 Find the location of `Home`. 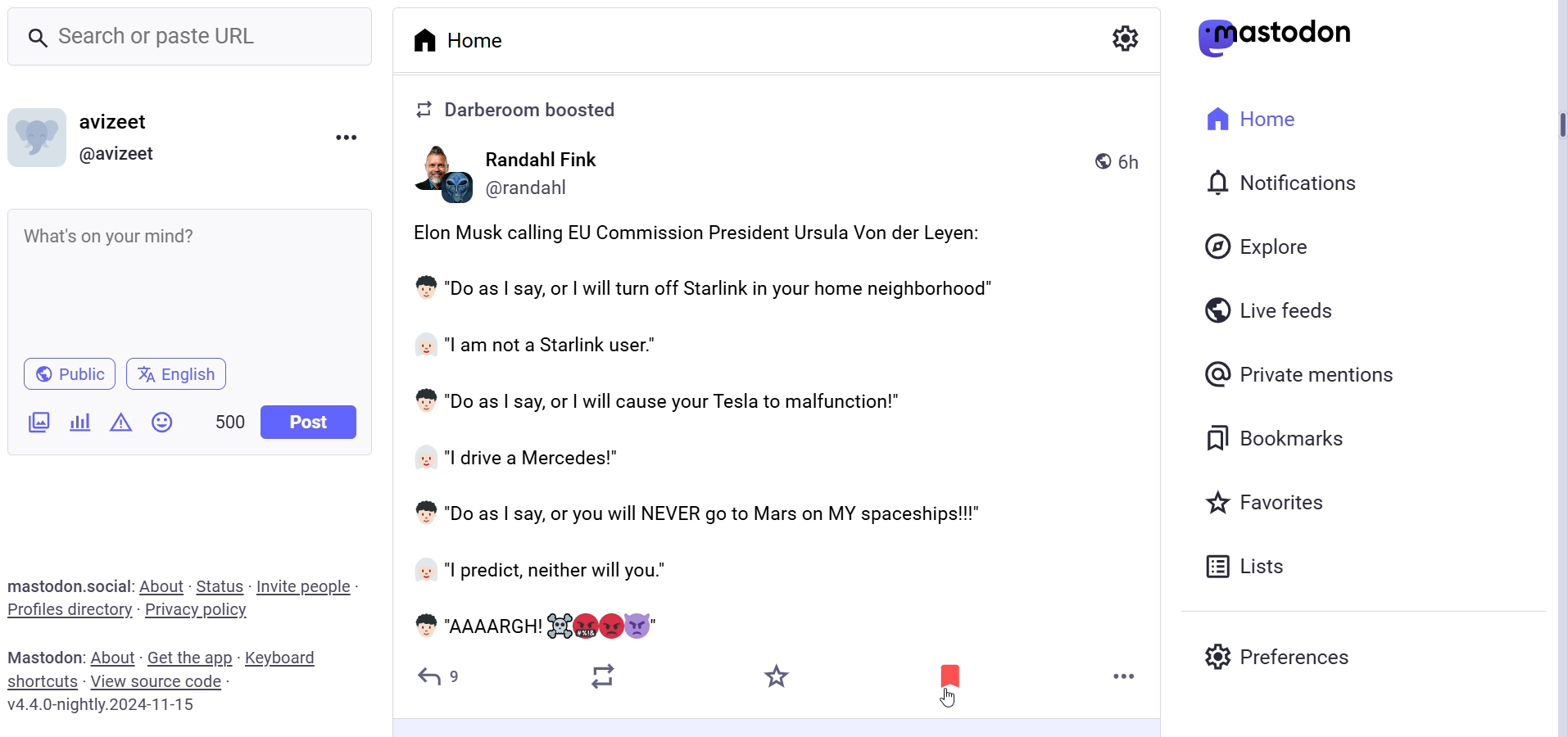

Home is located at coordinates (466, 38).